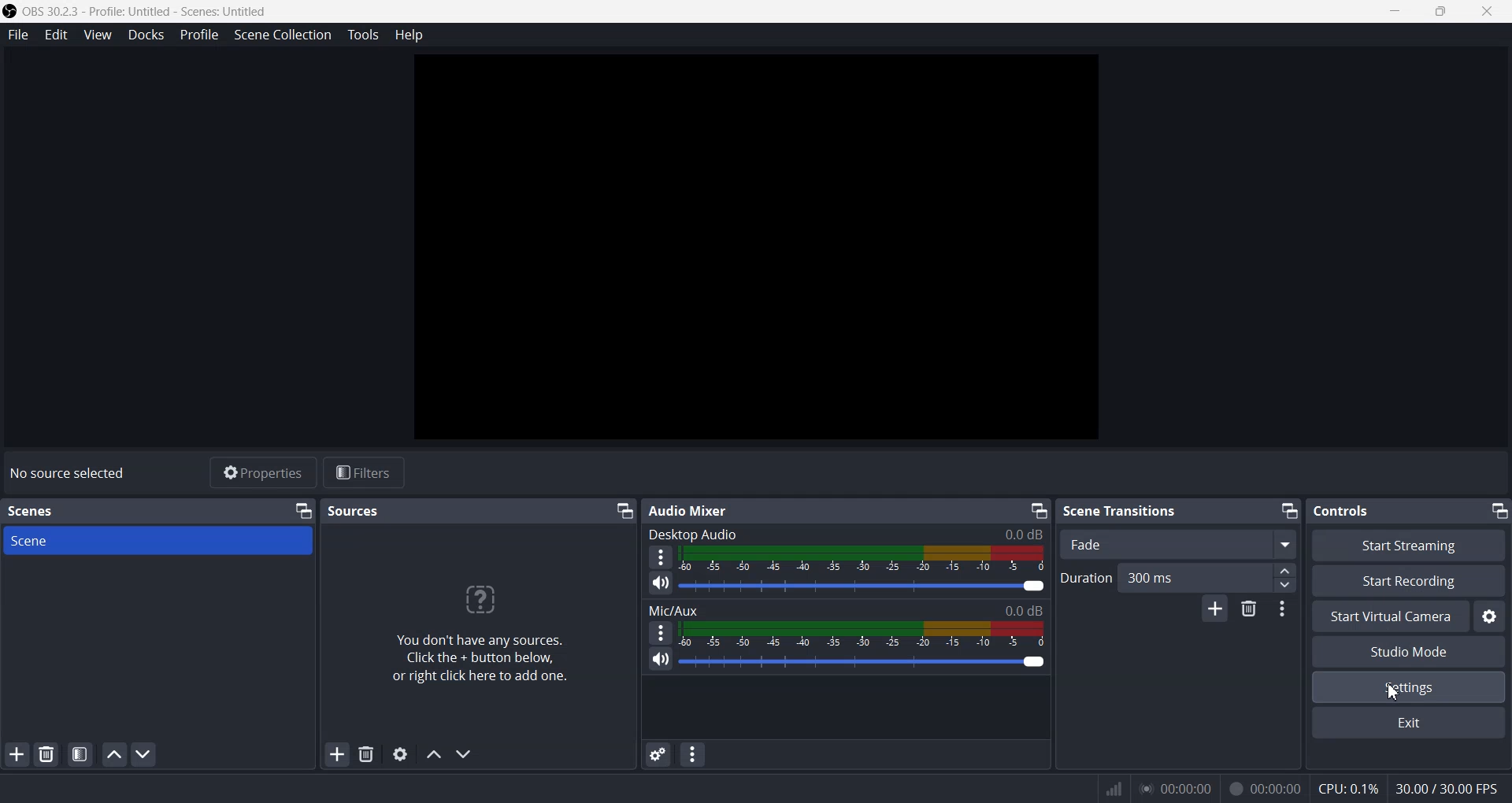 This screenshot has height=803, width=1512. Describe the element at coordinates (80, 754) in the screenshot. I see `Open scene filter` at that location.